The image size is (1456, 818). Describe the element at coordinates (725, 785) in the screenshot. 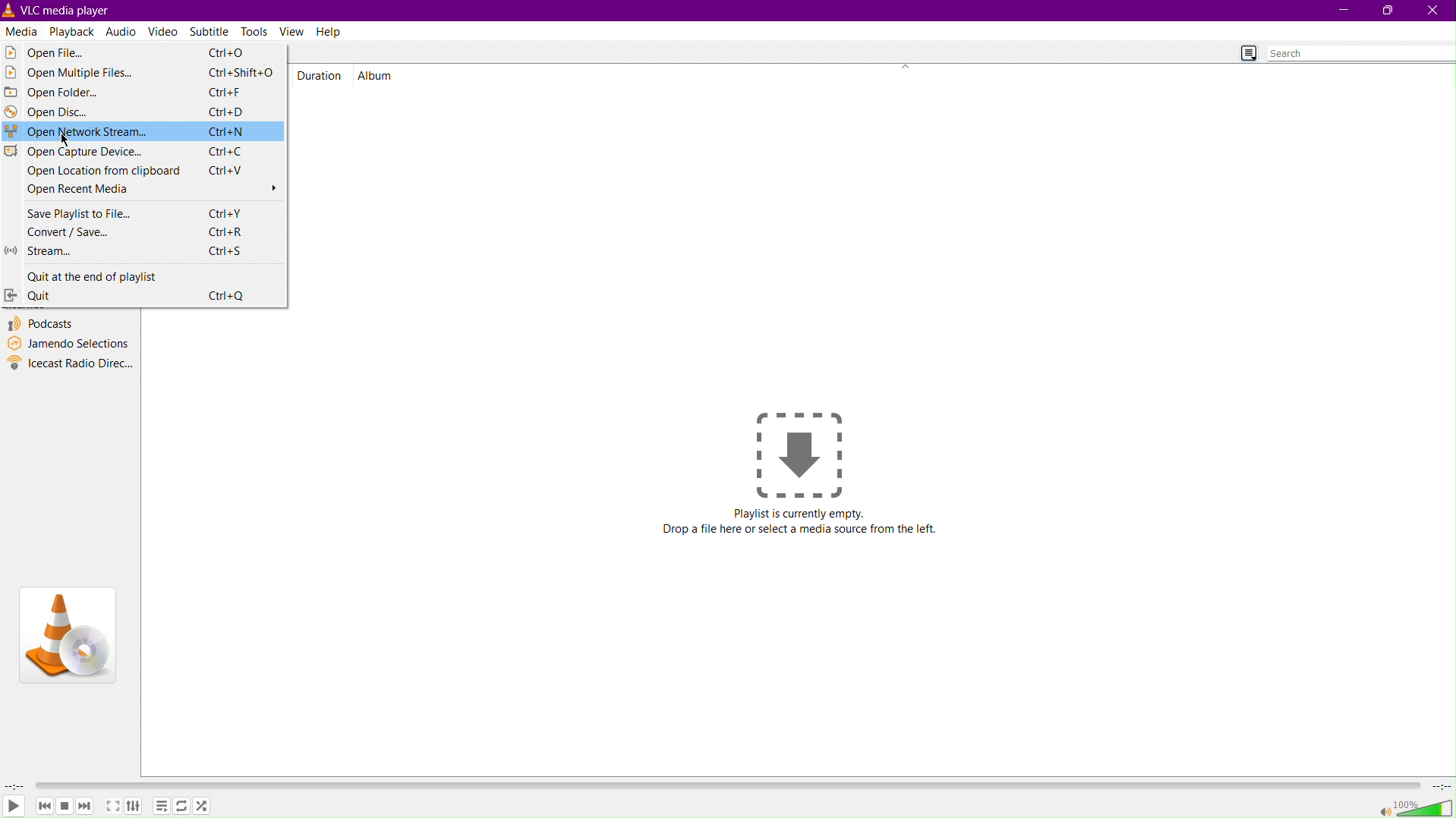

I see `Timeline` at that location.